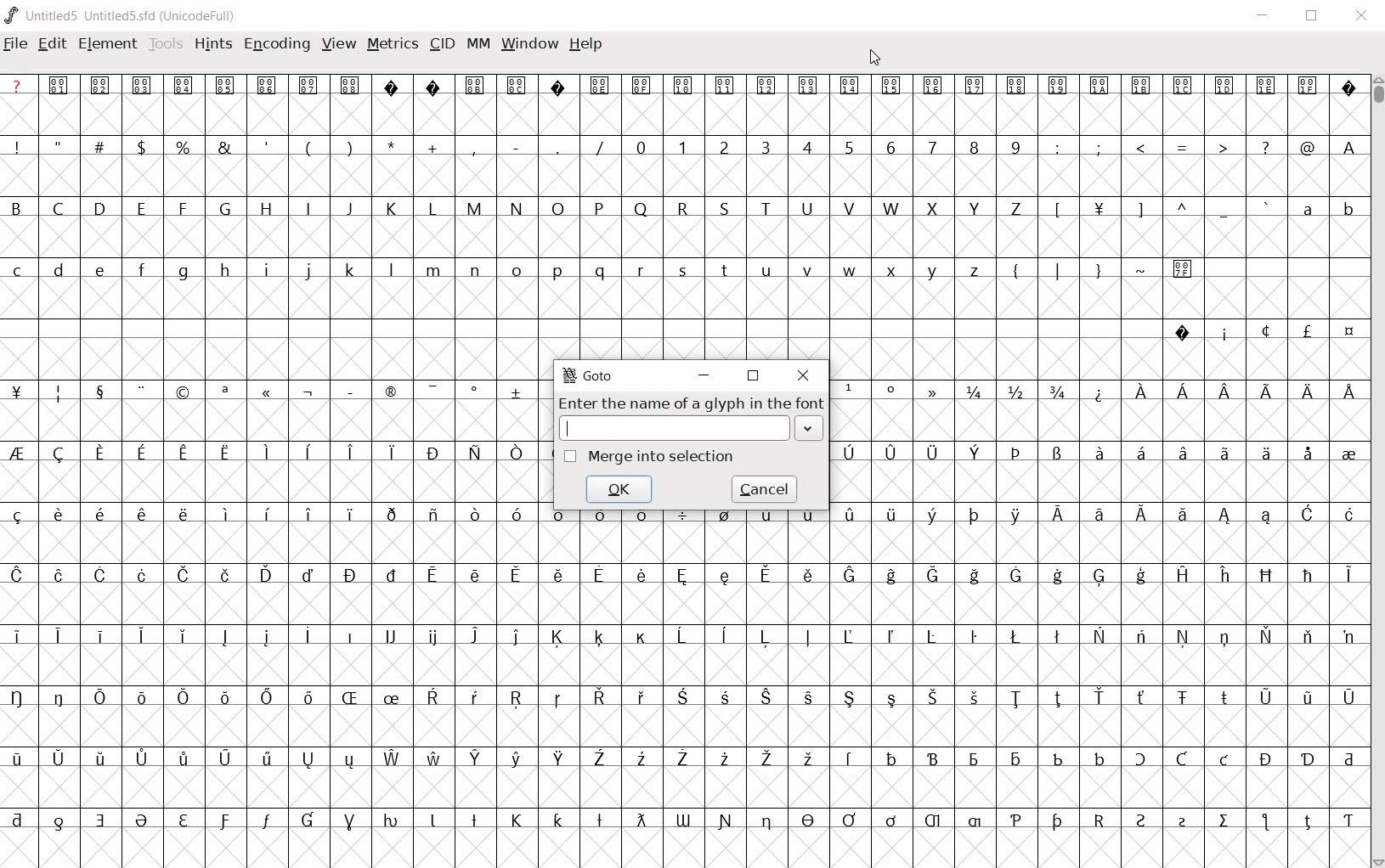 This screenshot has width=1385, height=868. Describe the element at coordinates (60, 820) in the screenshot. I see `Symbol` at that location.